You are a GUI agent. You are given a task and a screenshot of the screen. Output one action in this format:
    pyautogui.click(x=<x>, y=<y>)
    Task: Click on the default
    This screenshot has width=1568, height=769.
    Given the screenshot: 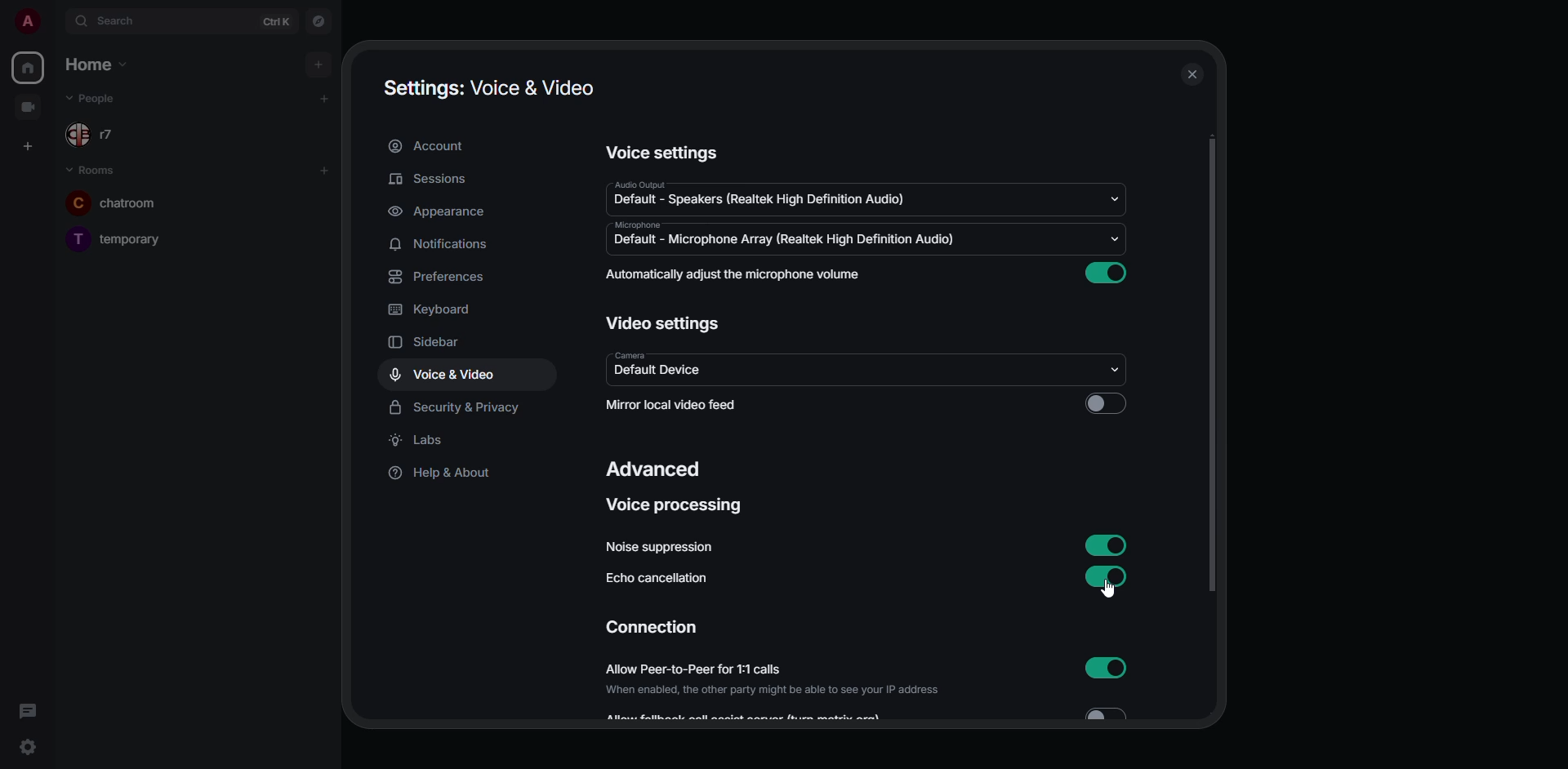 What is the action you would take?
    pyautogui.click(x=658, y=372)
    